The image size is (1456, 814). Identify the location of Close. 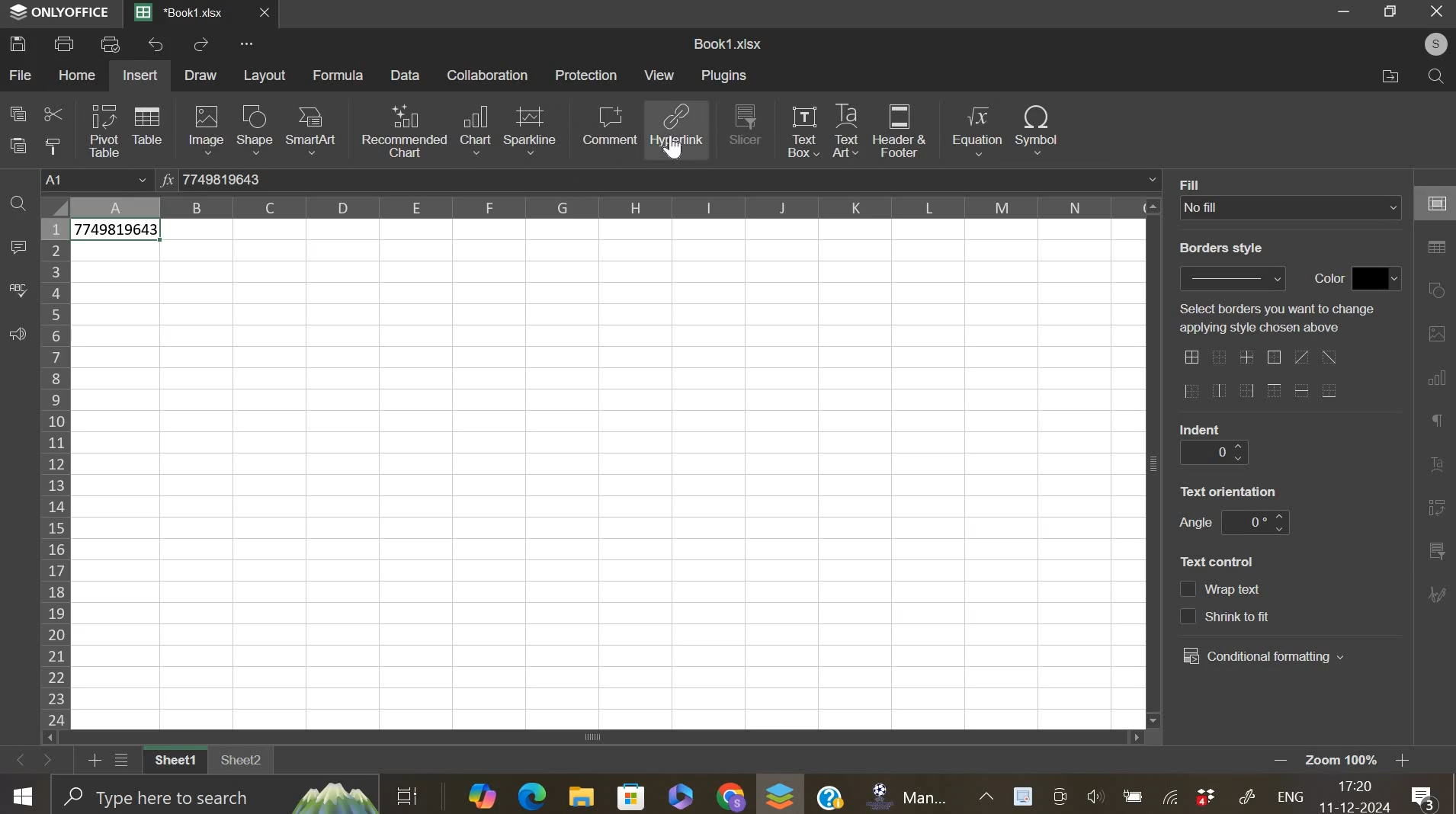
(1437, 12).